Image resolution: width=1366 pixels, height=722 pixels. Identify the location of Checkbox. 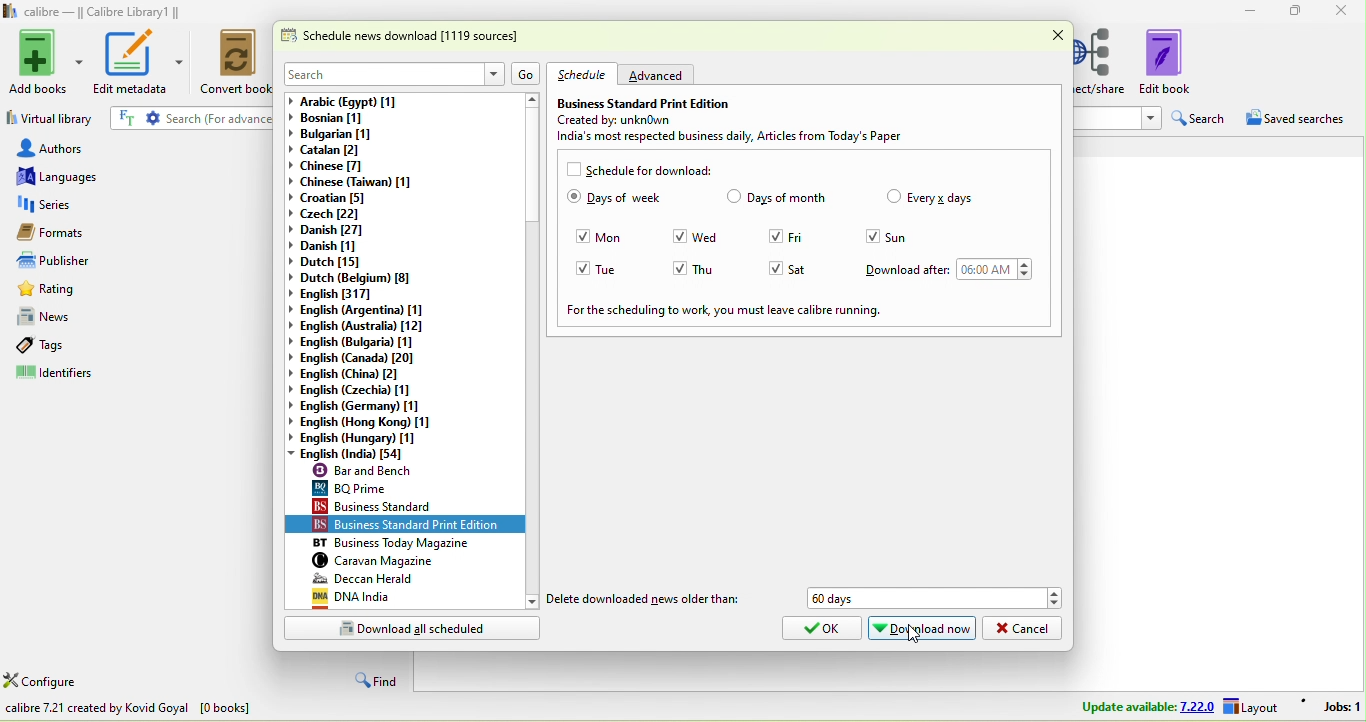
(733, 198).